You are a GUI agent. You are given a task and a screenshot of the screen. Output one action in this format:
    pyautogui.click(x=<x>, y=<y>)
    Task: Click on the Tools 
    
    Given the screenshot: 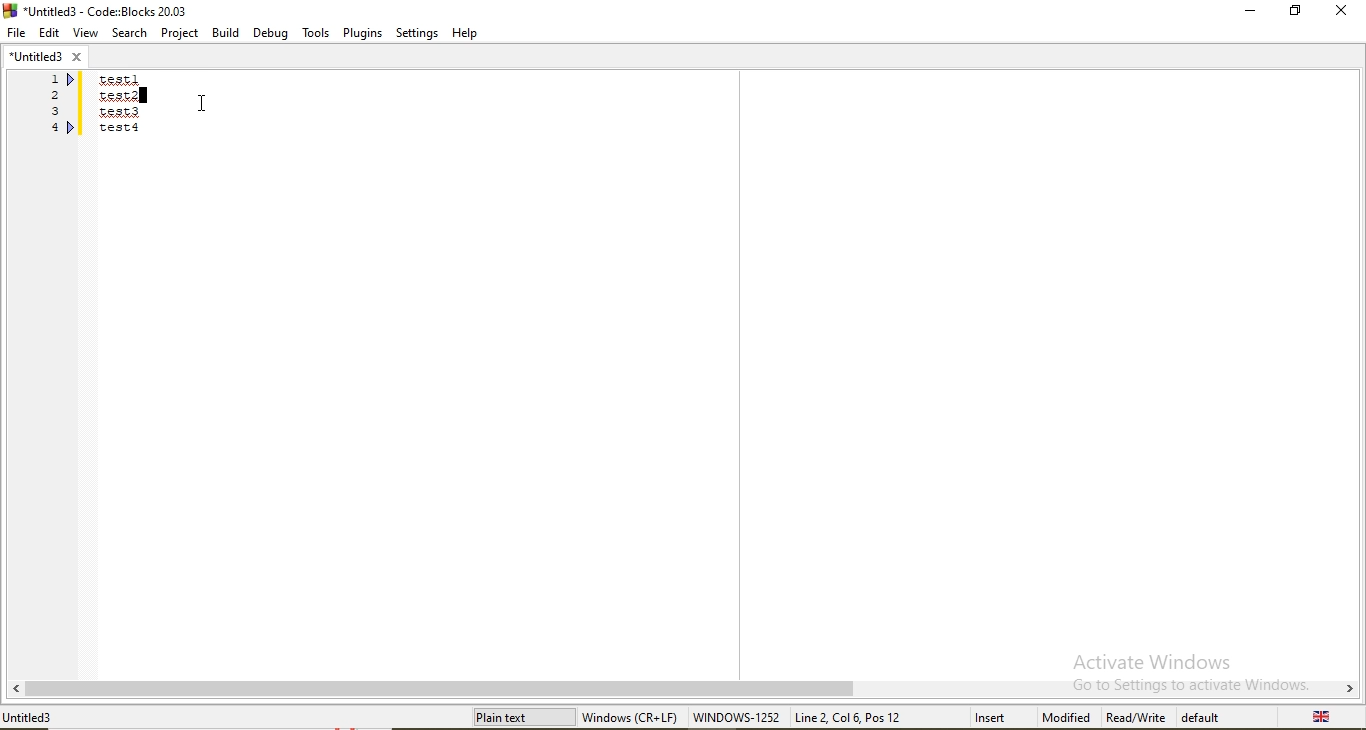 What is the action you would take?
    pyautogui.click(x=315, y=34)
    